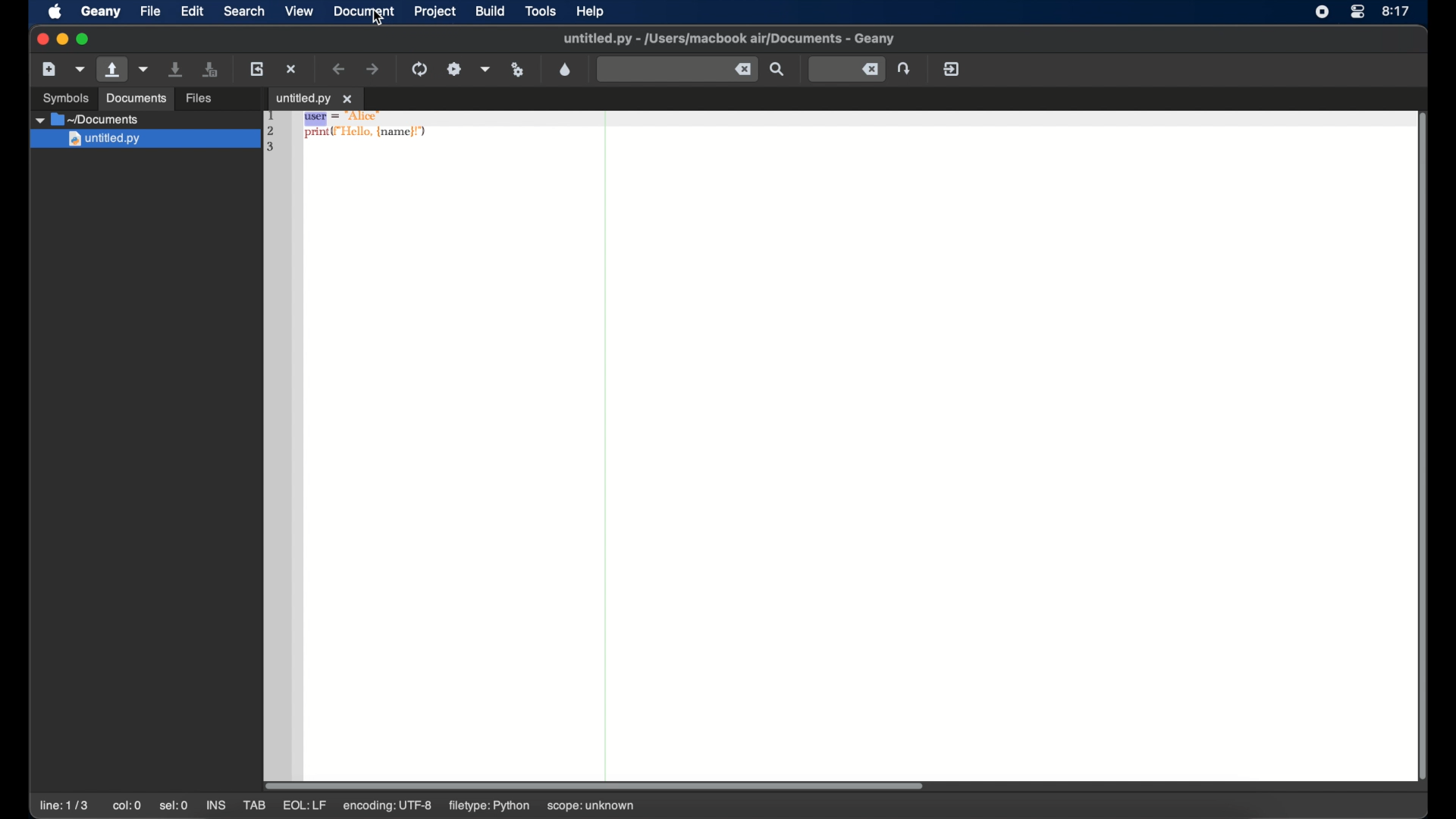 Image resolution: width=1456 pixels, height=819 pixels. What do you see at coordinates (144, 69) in the screenshot?
I see `open a recent file` at bounding box center [144, 69].